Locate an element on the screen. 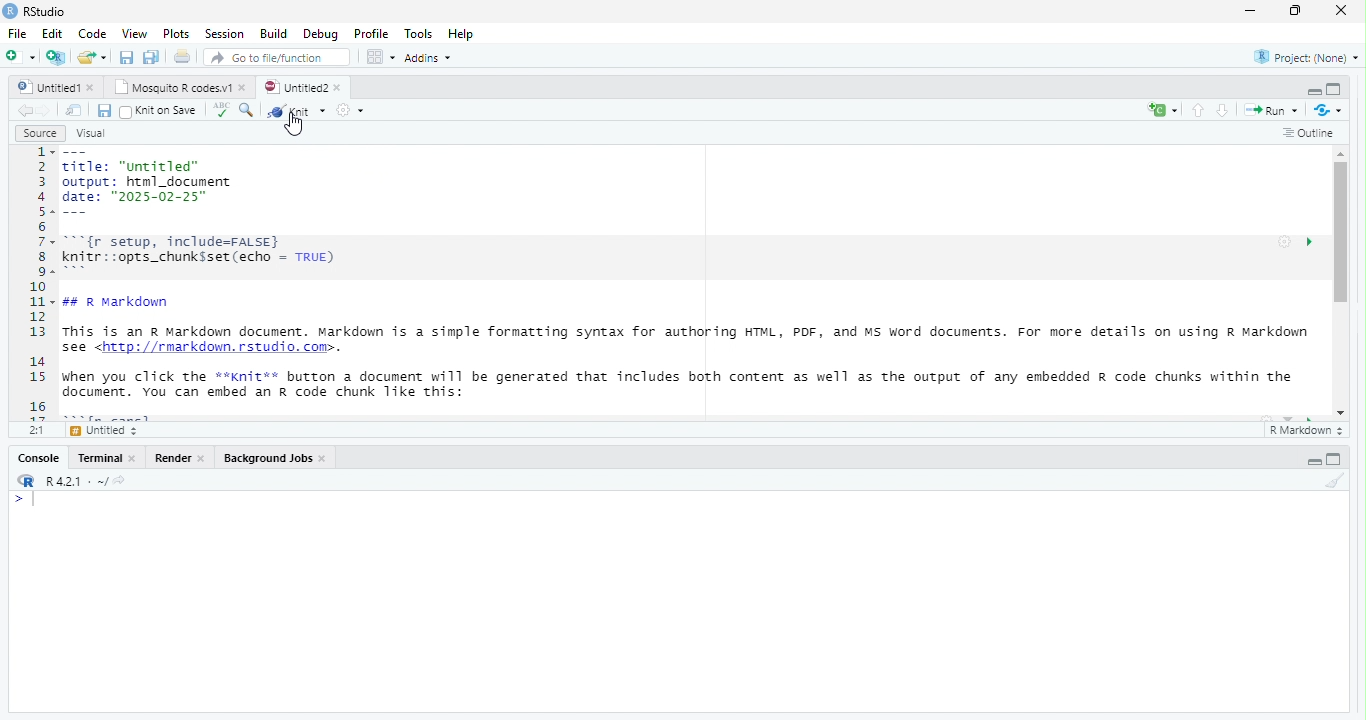 The height and width of the screenshot is (720, 1366). logo is located at coordinates (11, 10).